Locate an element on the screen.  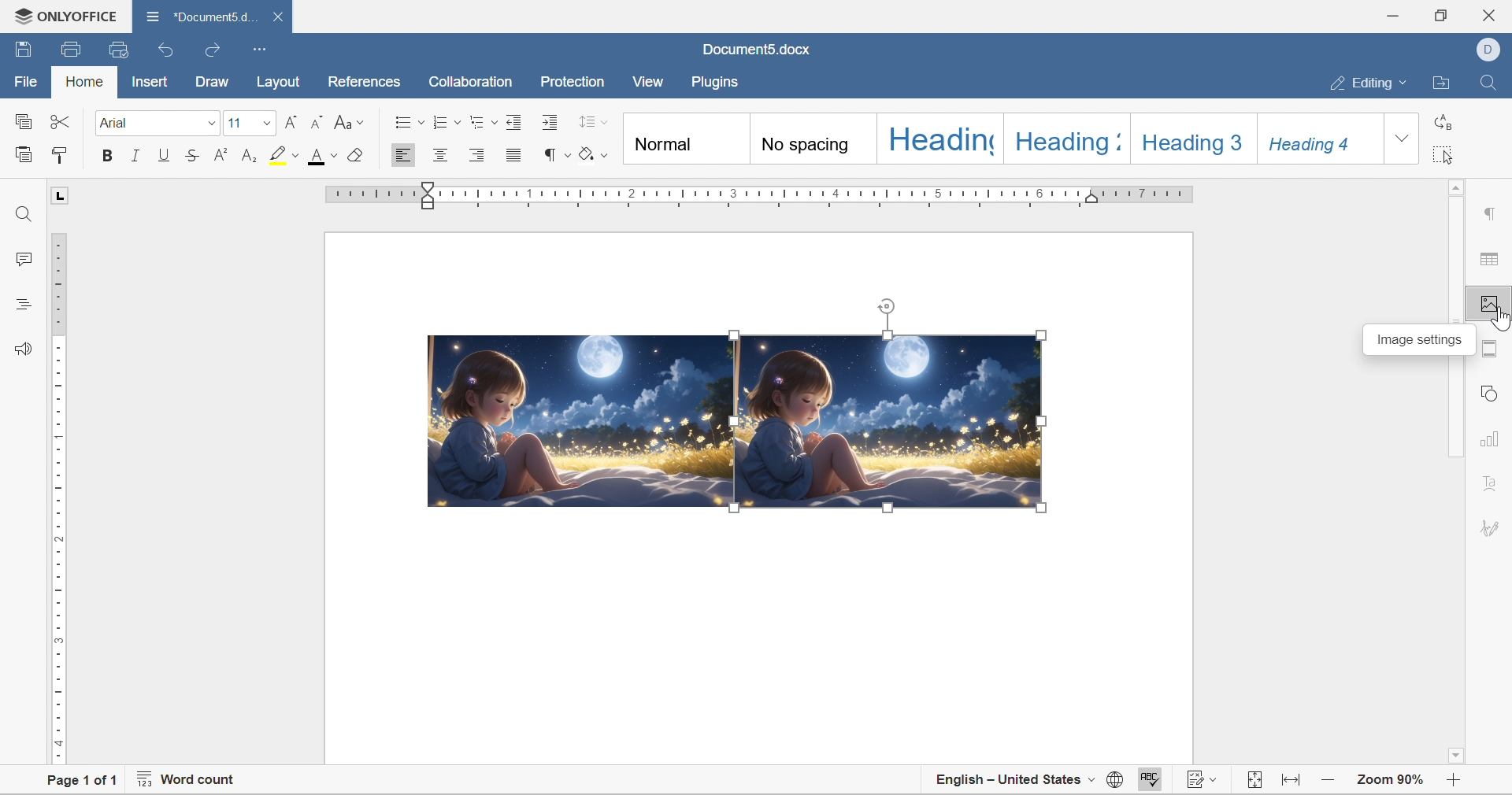
font size is located at coordinates (235, 122).